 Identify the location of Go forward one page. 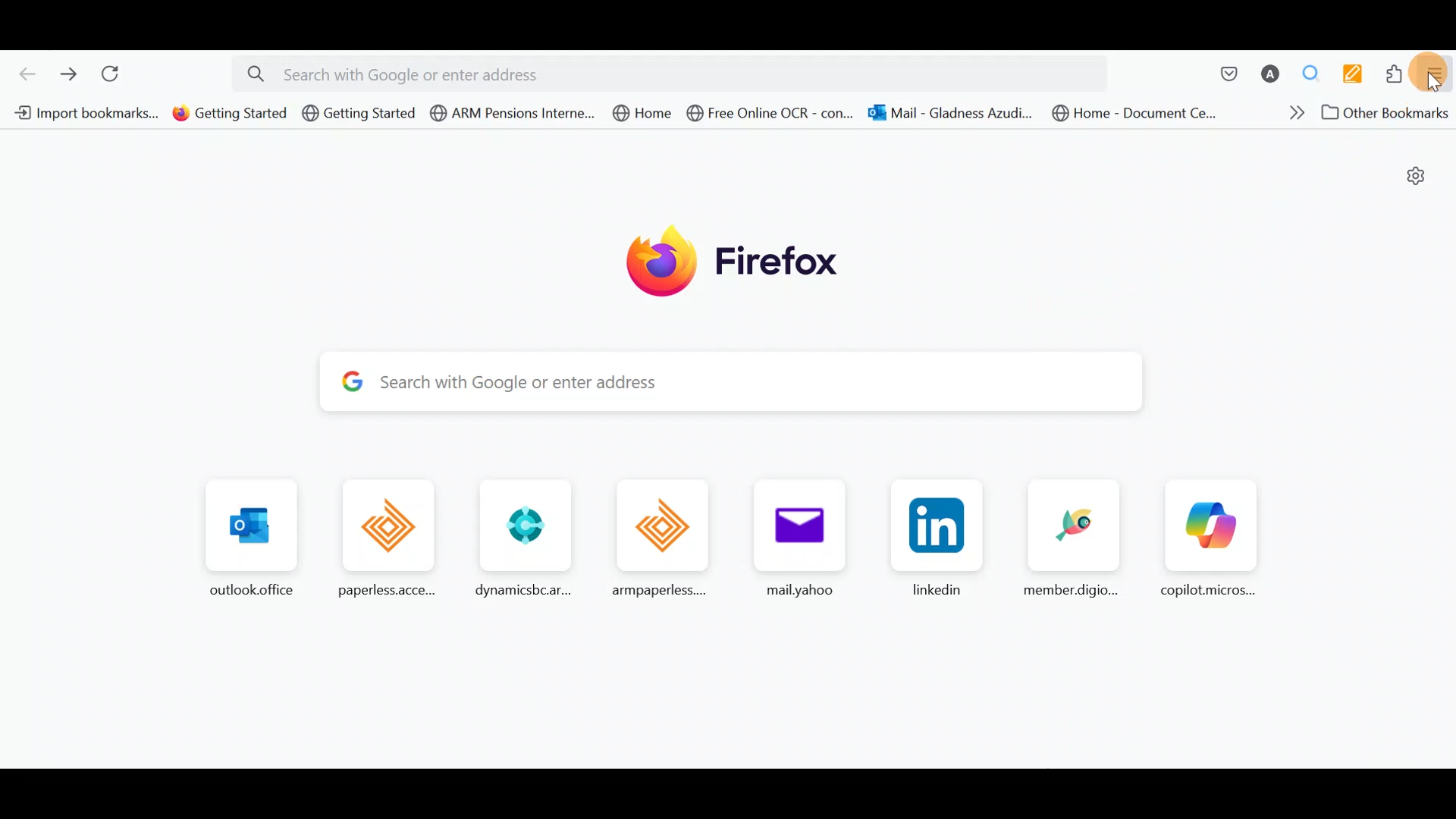
(67, 70).